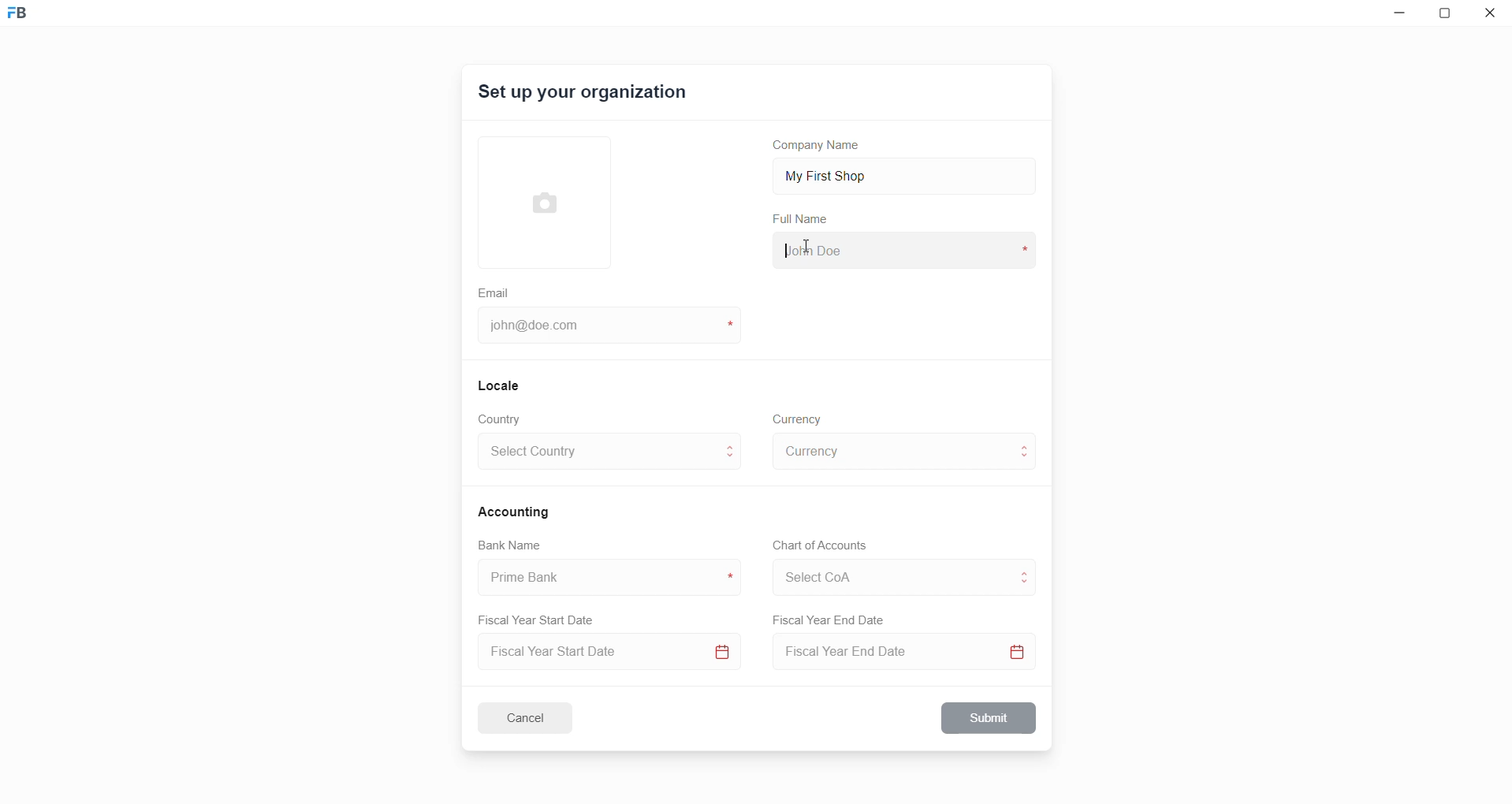 Image resolution: width=1512 pixels, height=804 pixels. I want to click on resize , so click(1449, 16).